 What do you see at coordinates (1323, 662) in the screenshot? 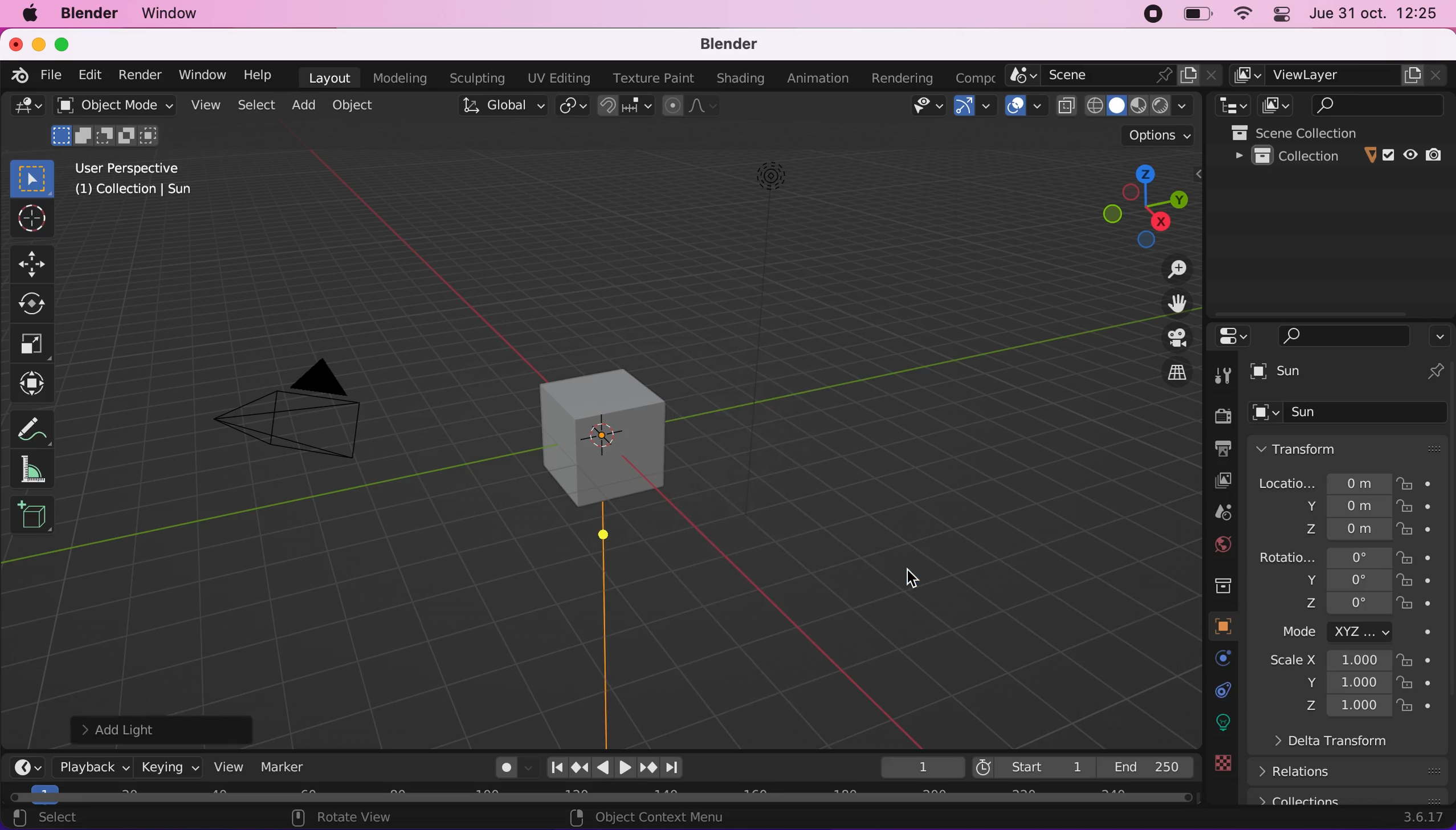
I see `scale x 1.000` at bounding box center [1323, 662].